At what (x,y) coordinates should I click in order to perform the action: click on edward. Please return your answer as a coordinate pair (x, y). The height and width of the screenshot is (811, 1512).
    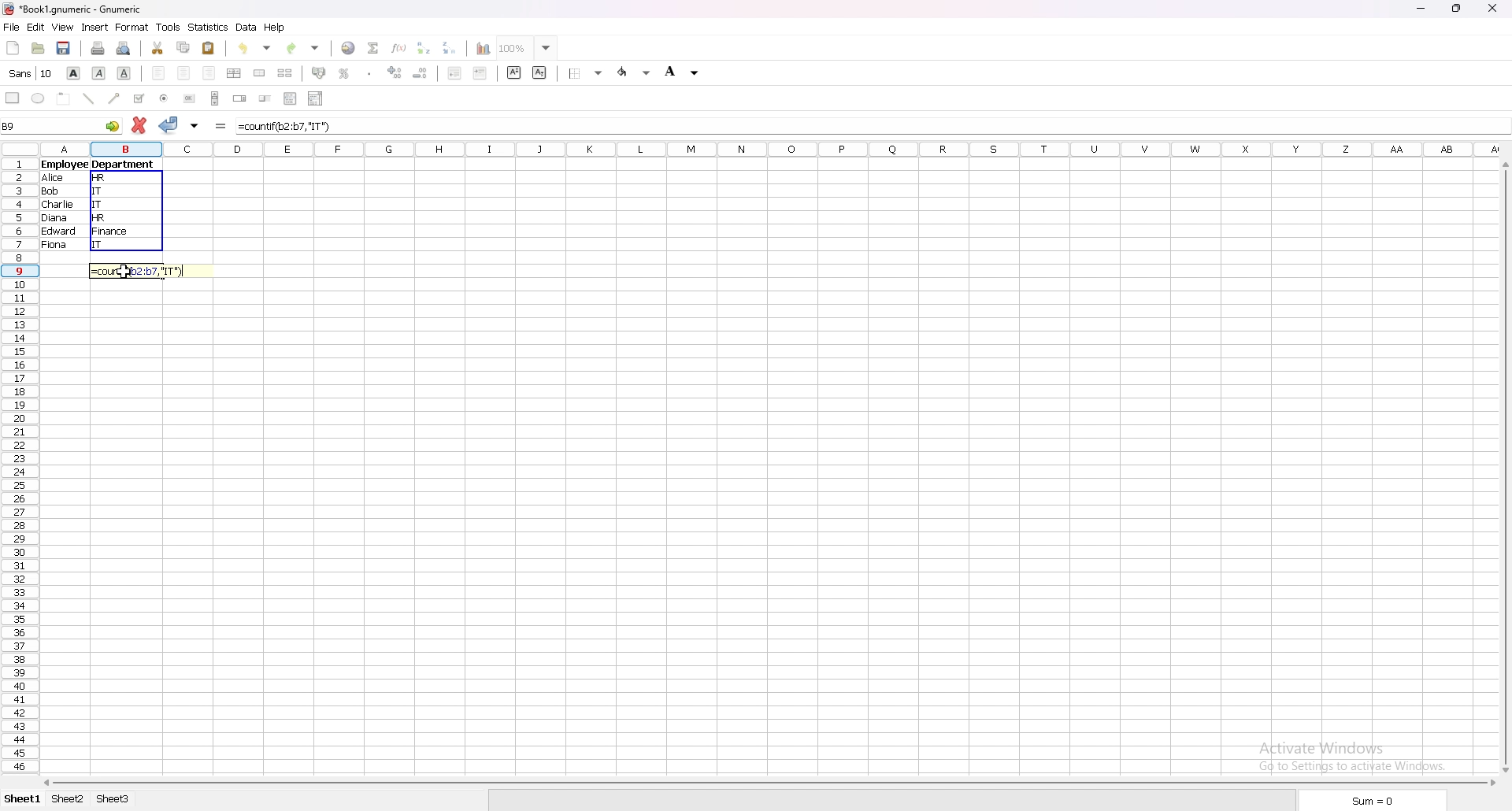
    Looking at the image, I should click on (58, 232).